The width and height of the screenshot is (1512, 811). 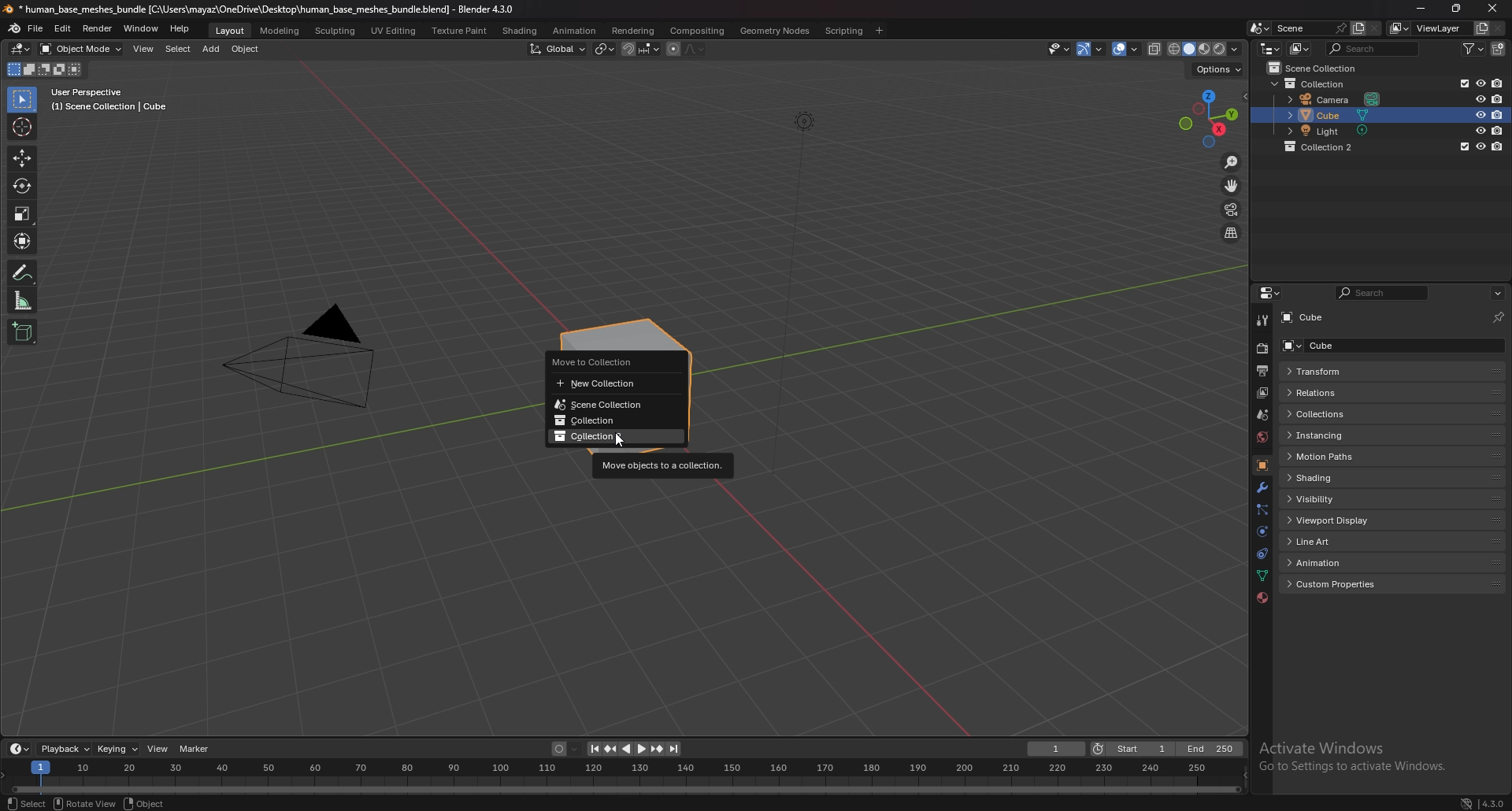 What do you see at coordinates (1358, 28) in the screenshot?
I see `add scene` at bounding box center [1358, 28].